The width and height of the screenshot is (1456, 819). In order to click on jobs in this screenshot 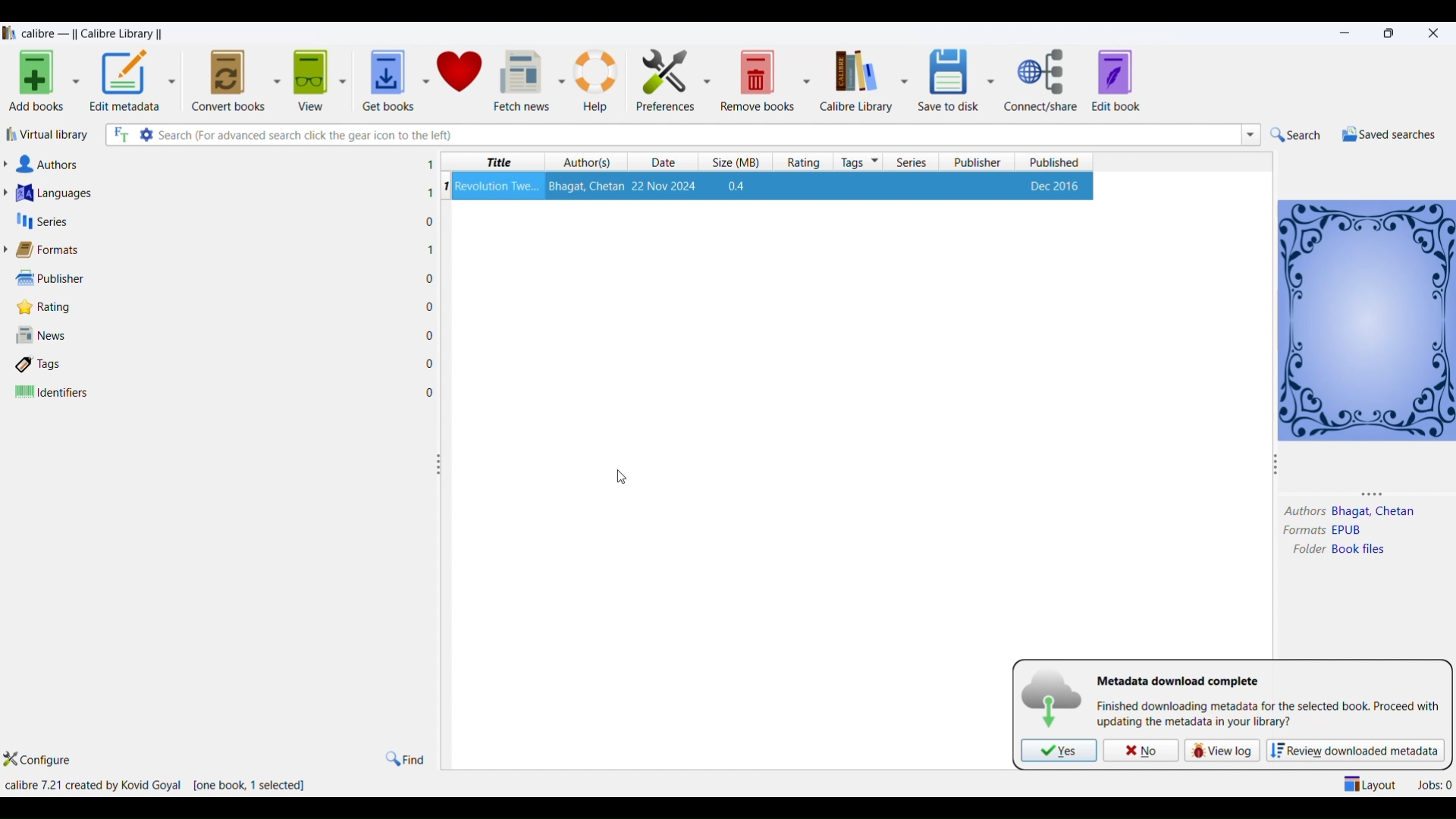, I will do `click(1434, 783)`.